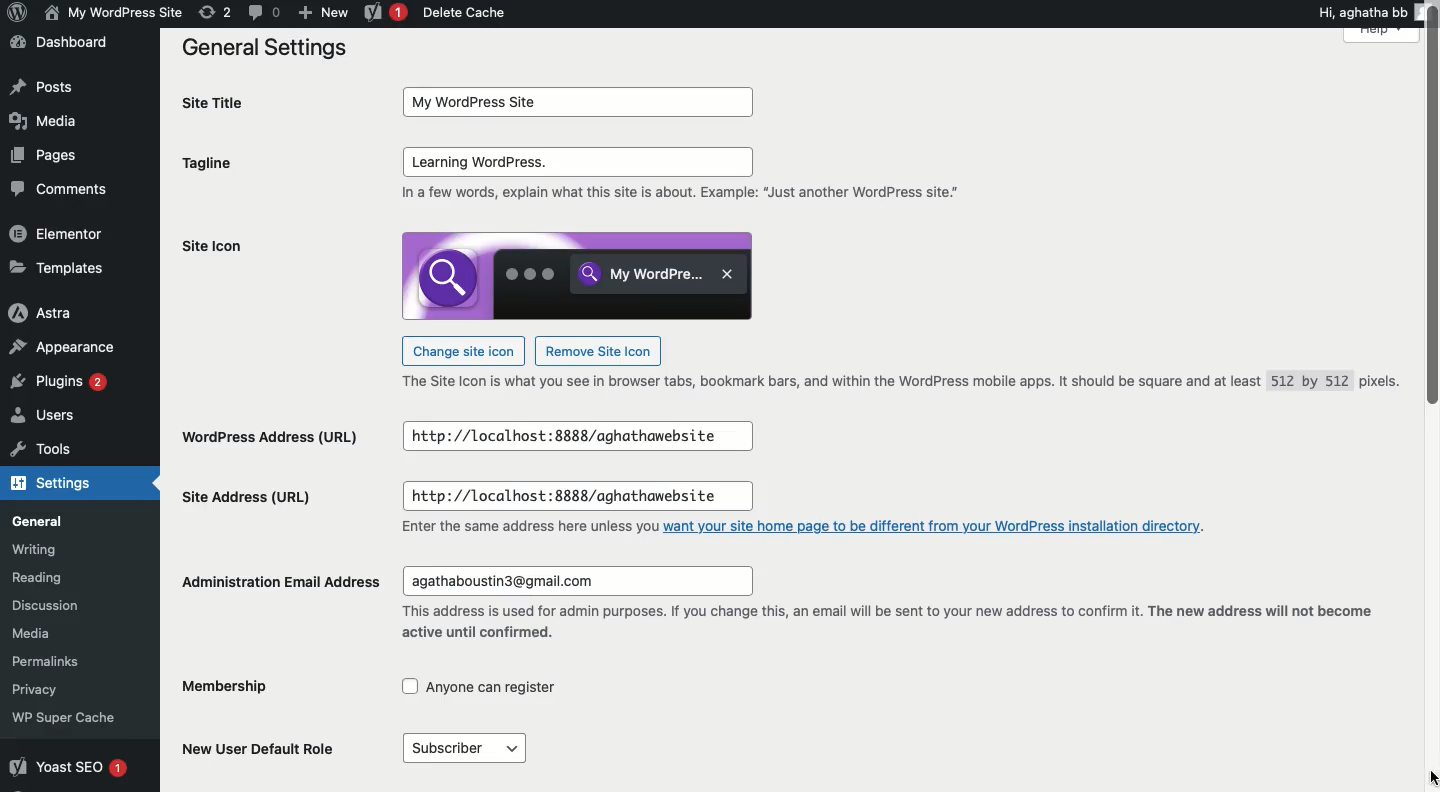 The image size is (1440, 792). Describe the element at coordinates (259, 48) in the screenshot. I see `General settings` at that location.